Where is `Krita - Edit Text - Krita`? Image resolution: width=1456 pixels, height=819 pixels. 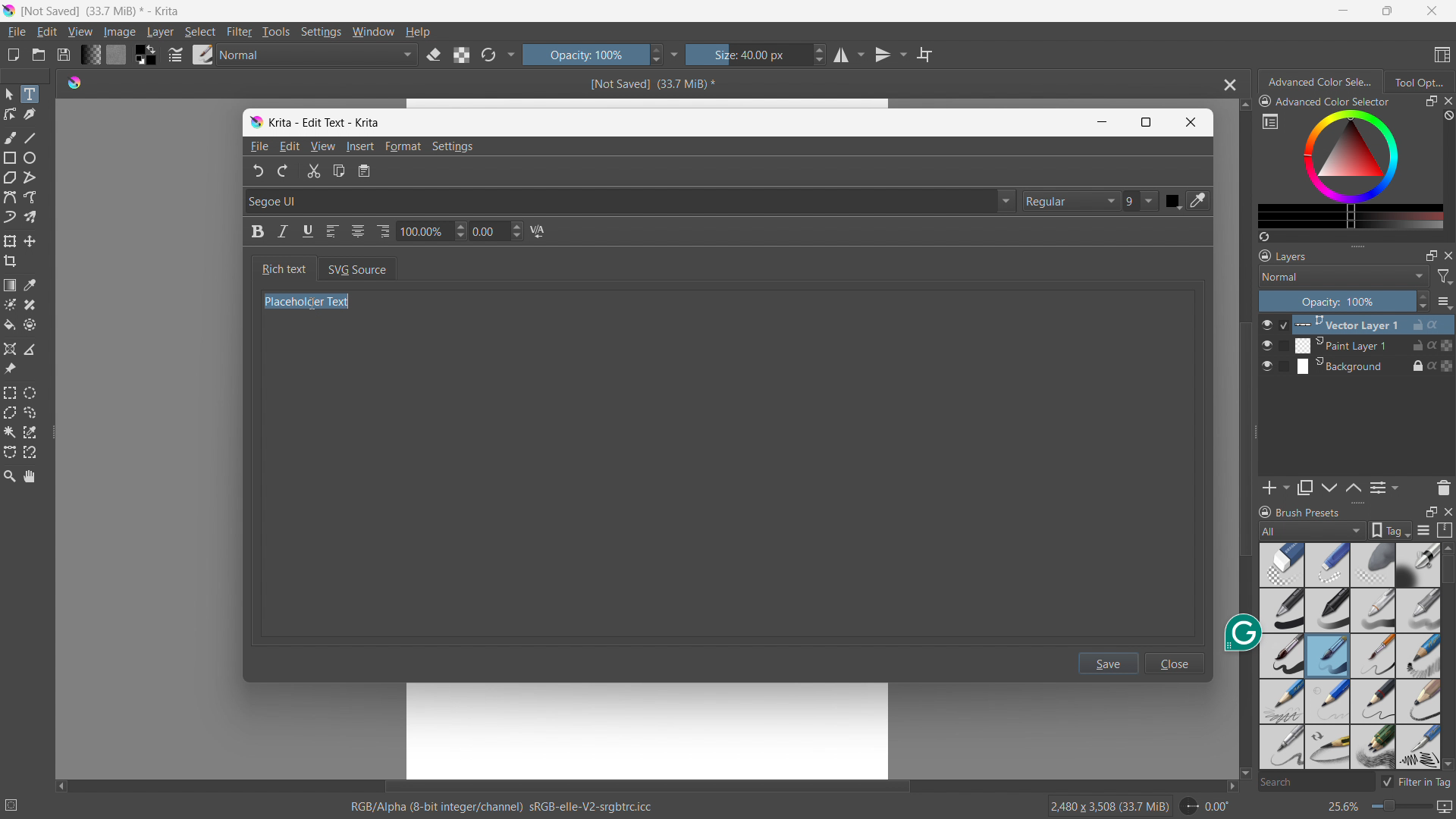
Krita - Edit Text - Krita is located at coordinates (326, 121).